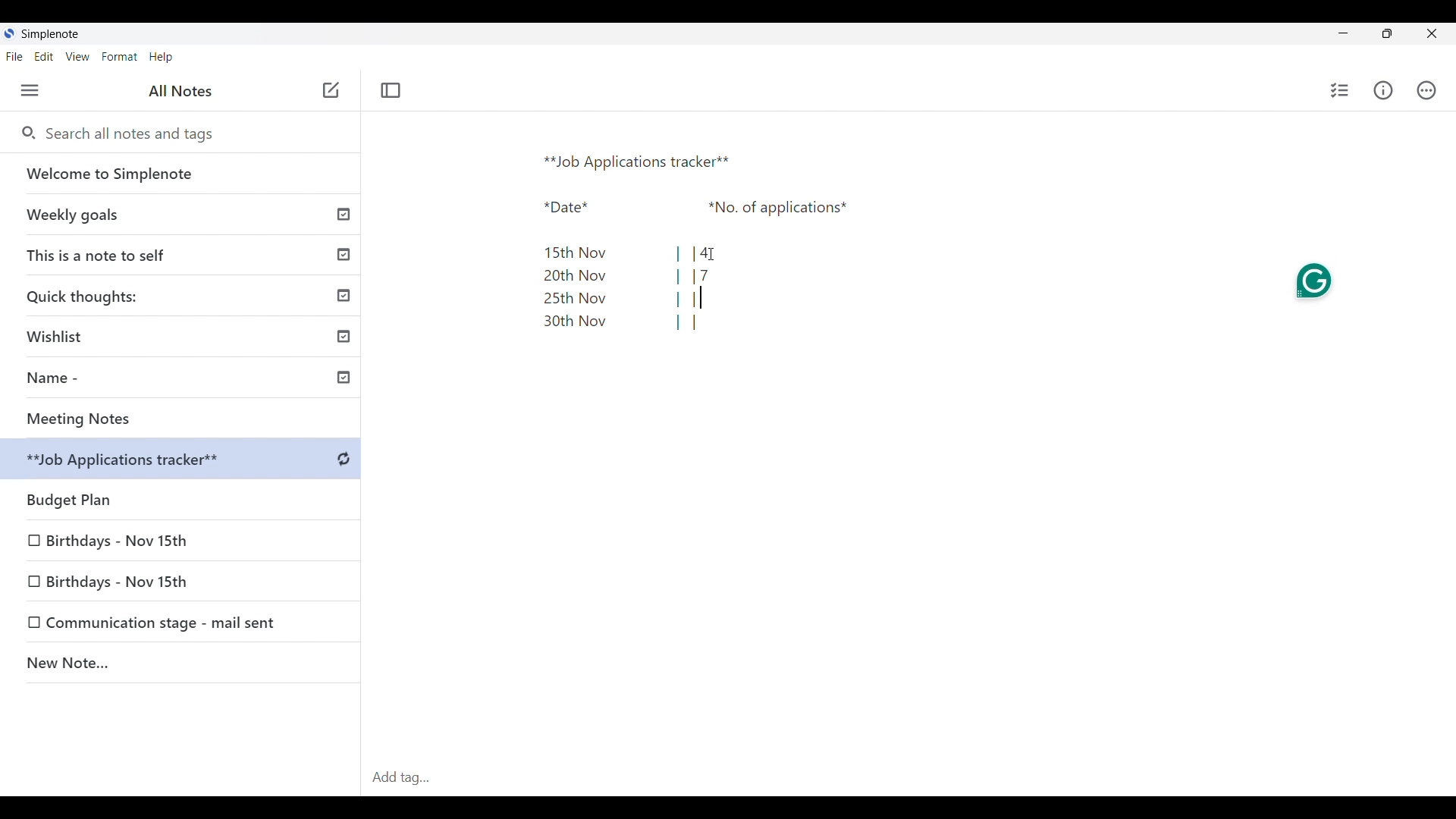  I want to click on Welcome to Simplenote, so click(181, 174).